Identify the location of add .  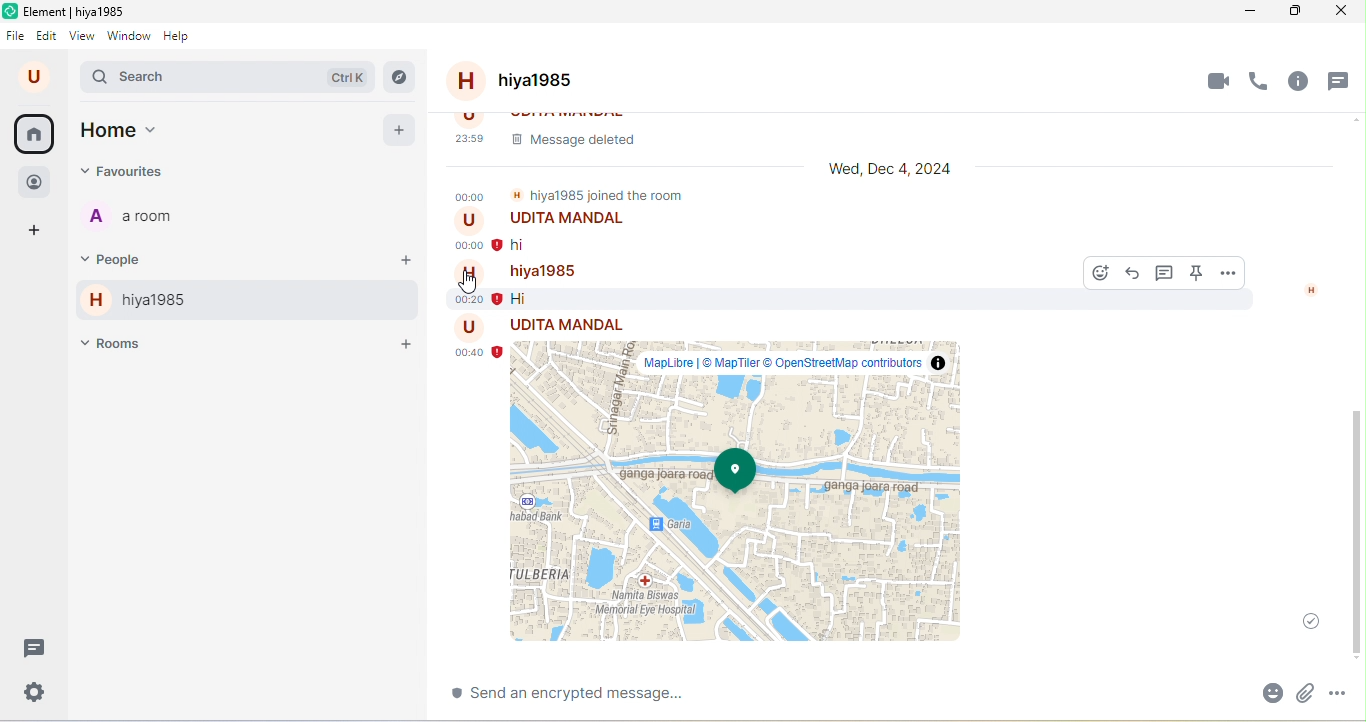
(399, 129).